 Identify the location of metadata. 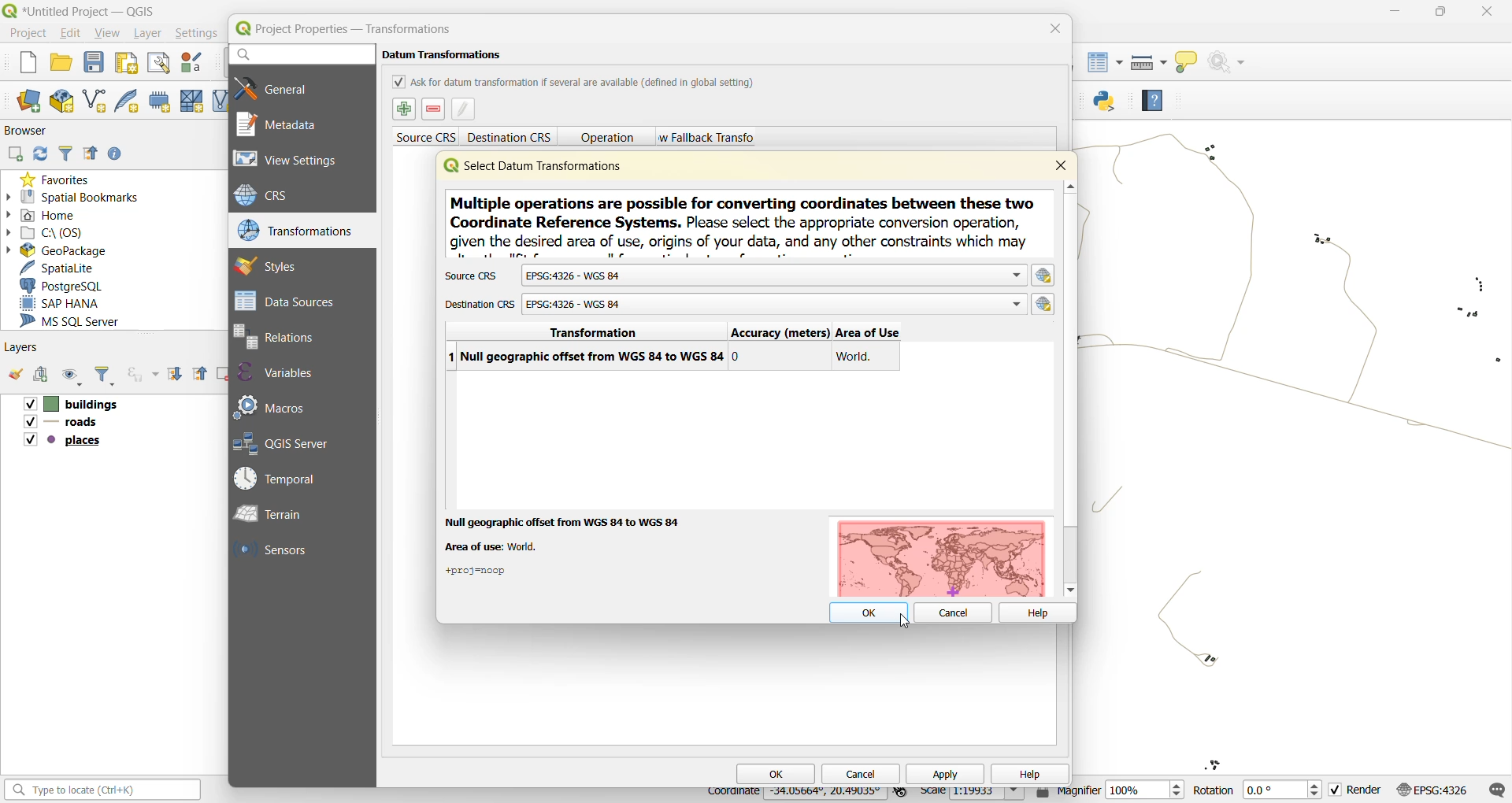
(743, 228).